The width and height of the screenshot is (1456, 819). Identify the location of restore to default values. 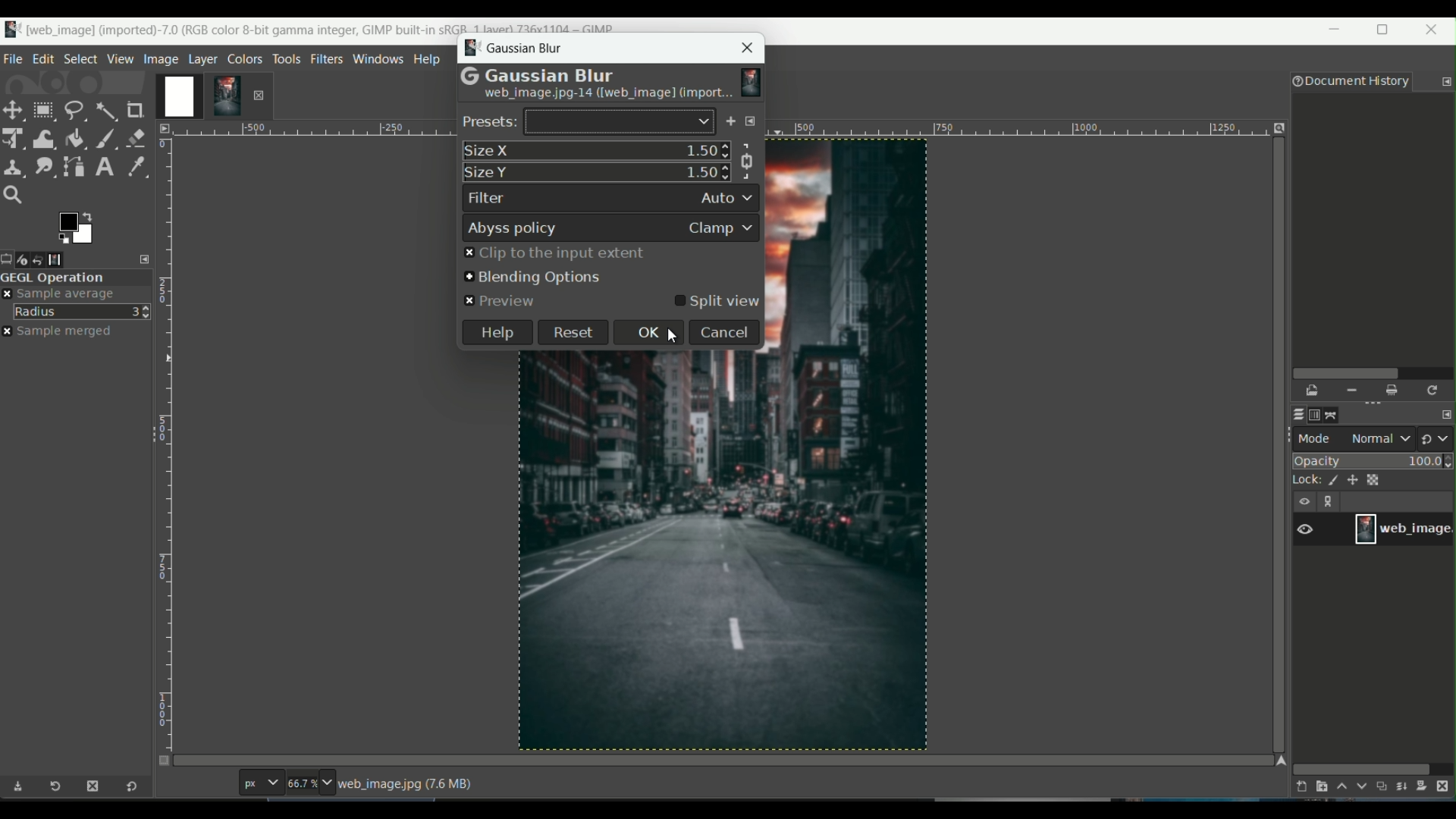
(128, 788).